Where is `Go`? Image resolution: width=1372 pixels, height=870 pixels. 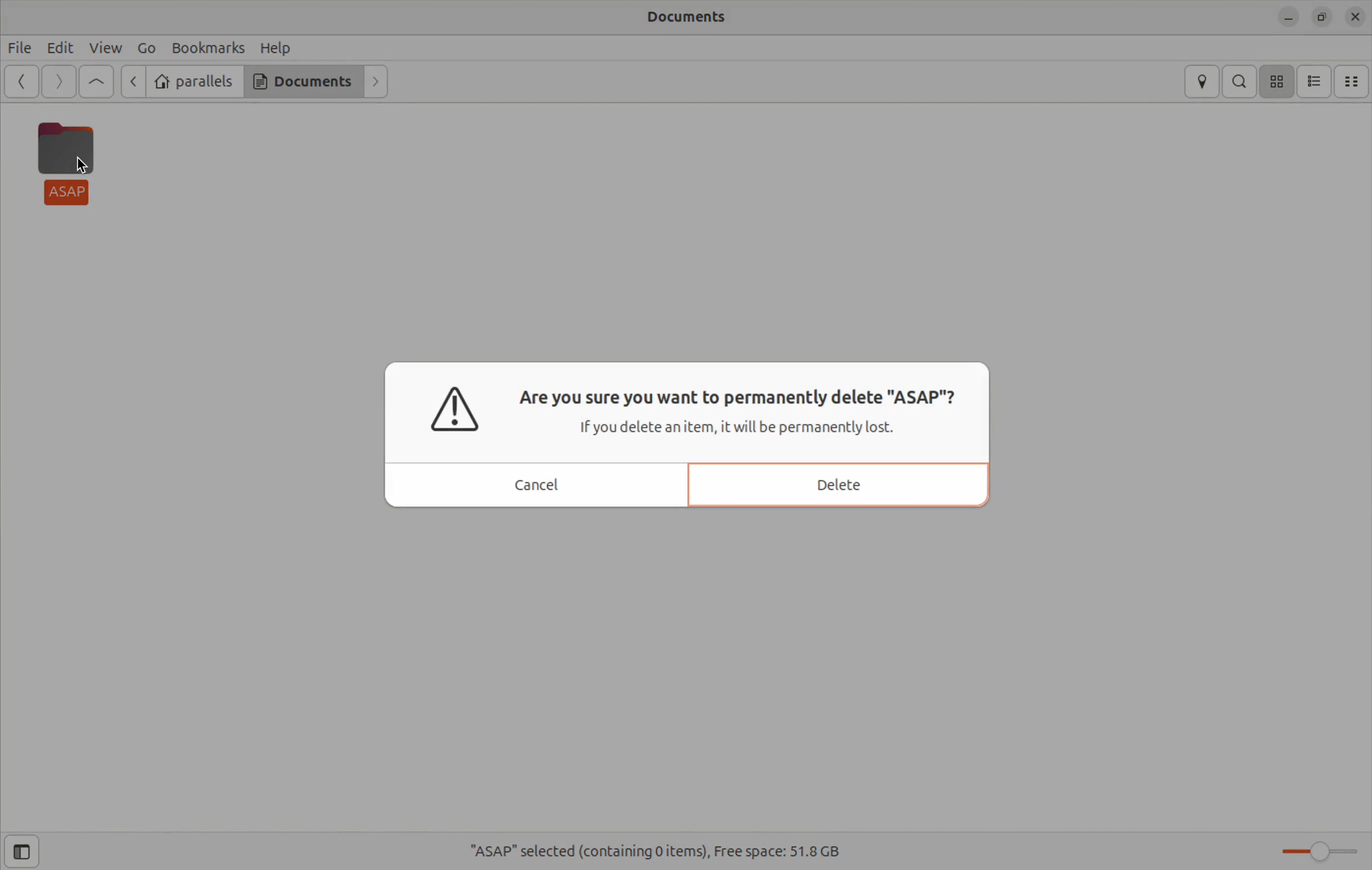 Go is located at coordinates (145, 47).